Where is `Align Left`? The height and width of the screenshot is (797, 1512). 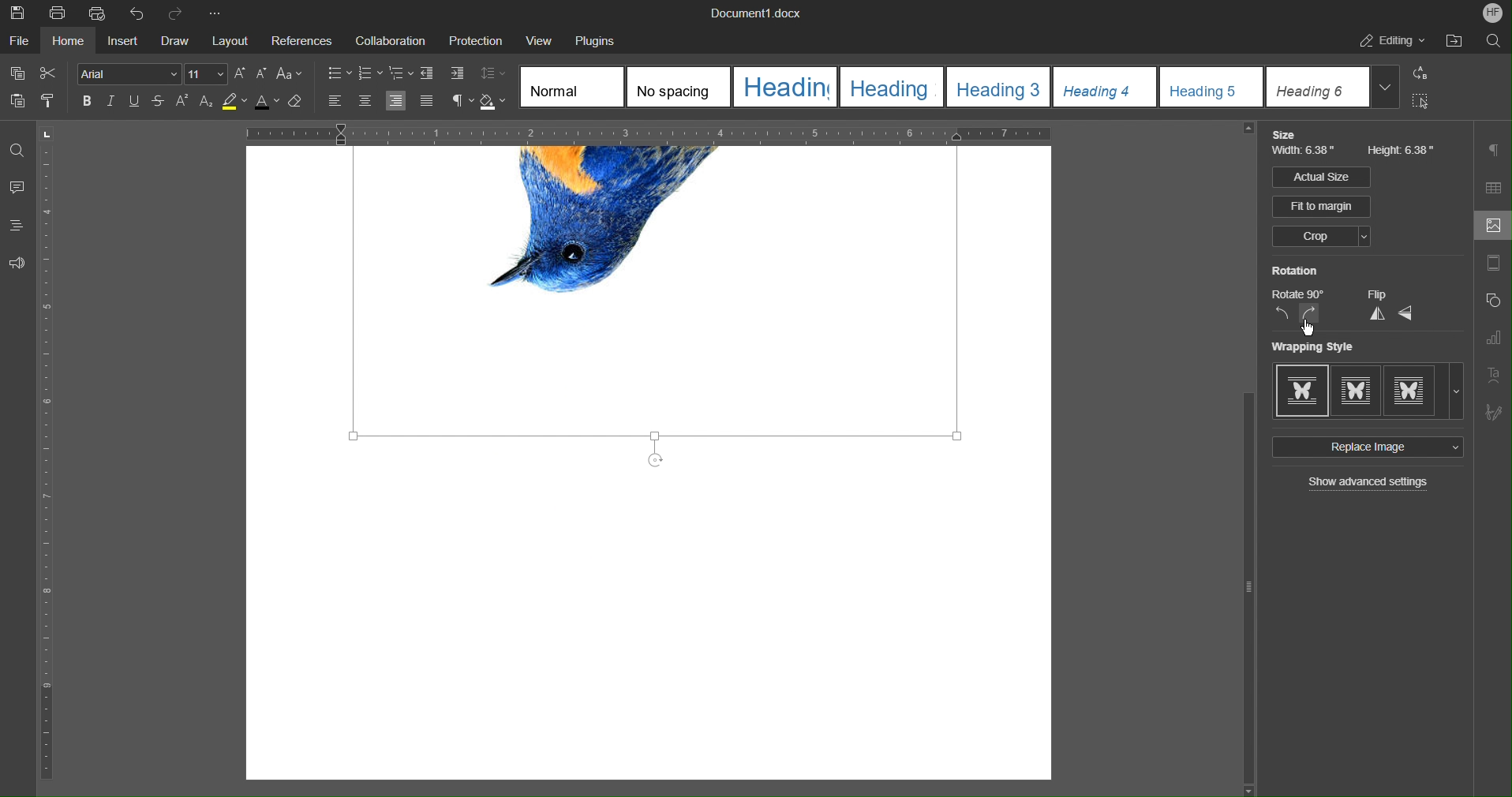 Align Left is located at coordinates (336, 102).